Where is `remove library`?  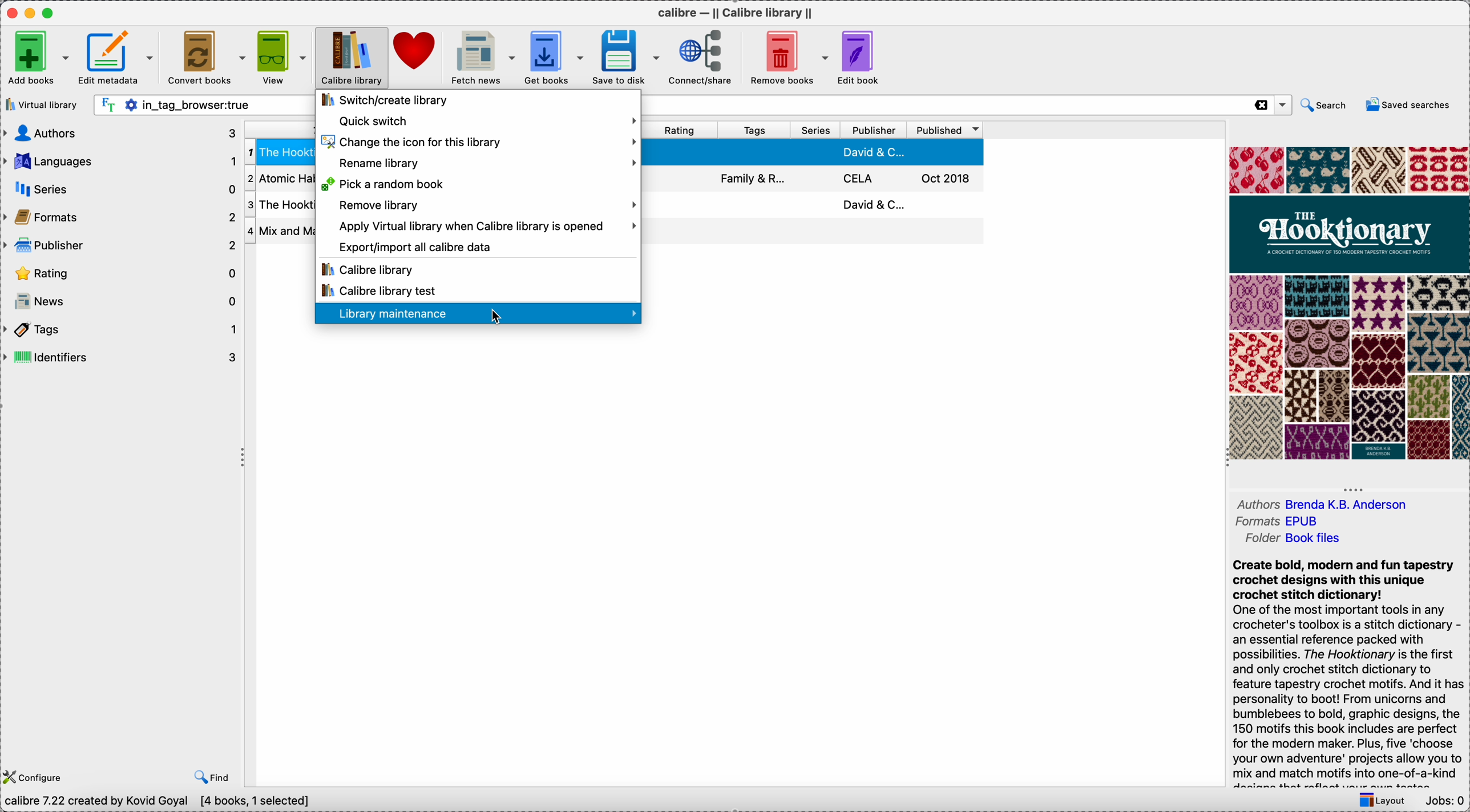 remove library is located at coordinates (485, 206).